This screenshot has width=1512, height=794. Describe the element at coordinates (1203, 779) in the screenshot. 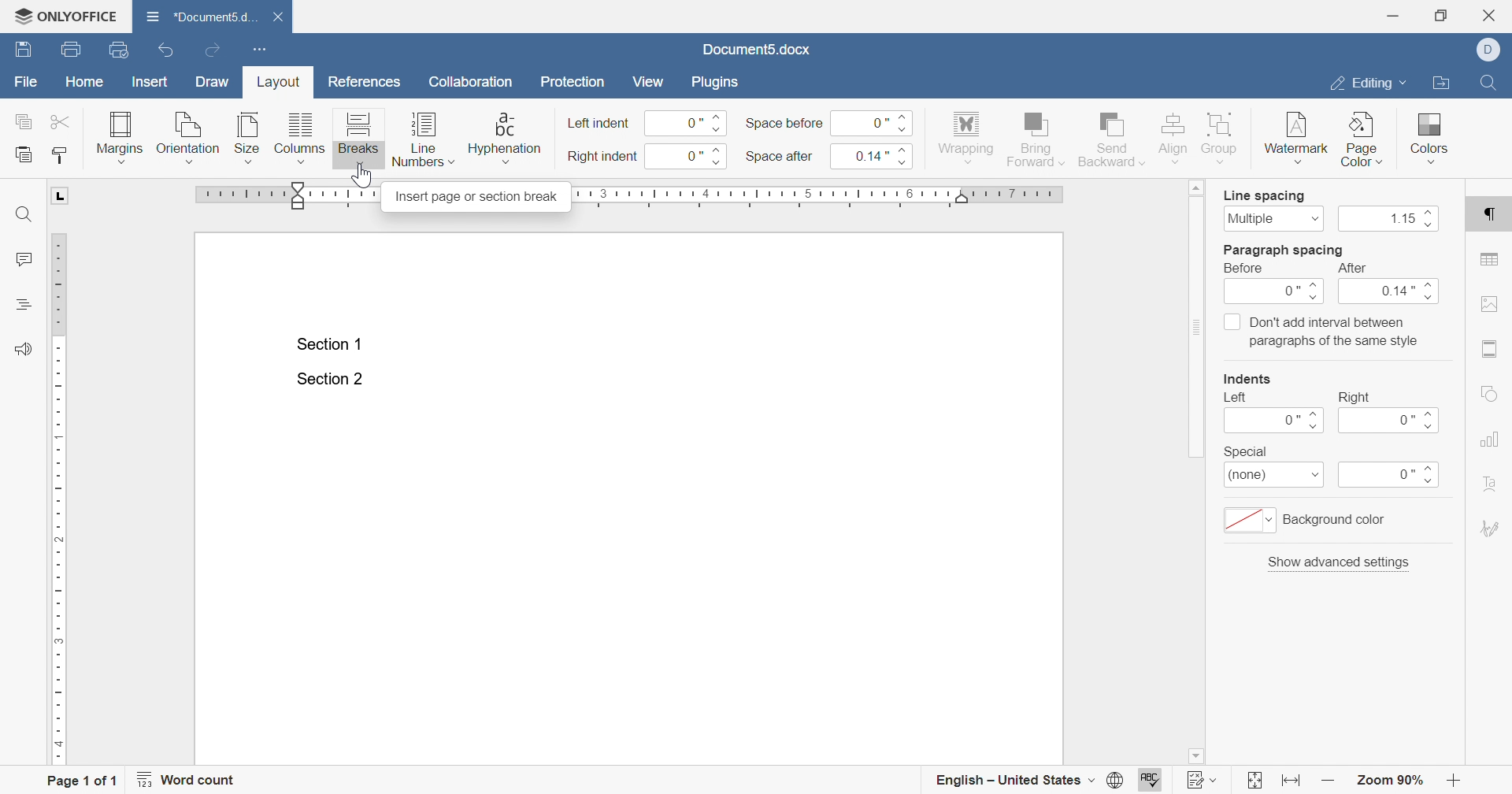

I see `track changes` at that location.